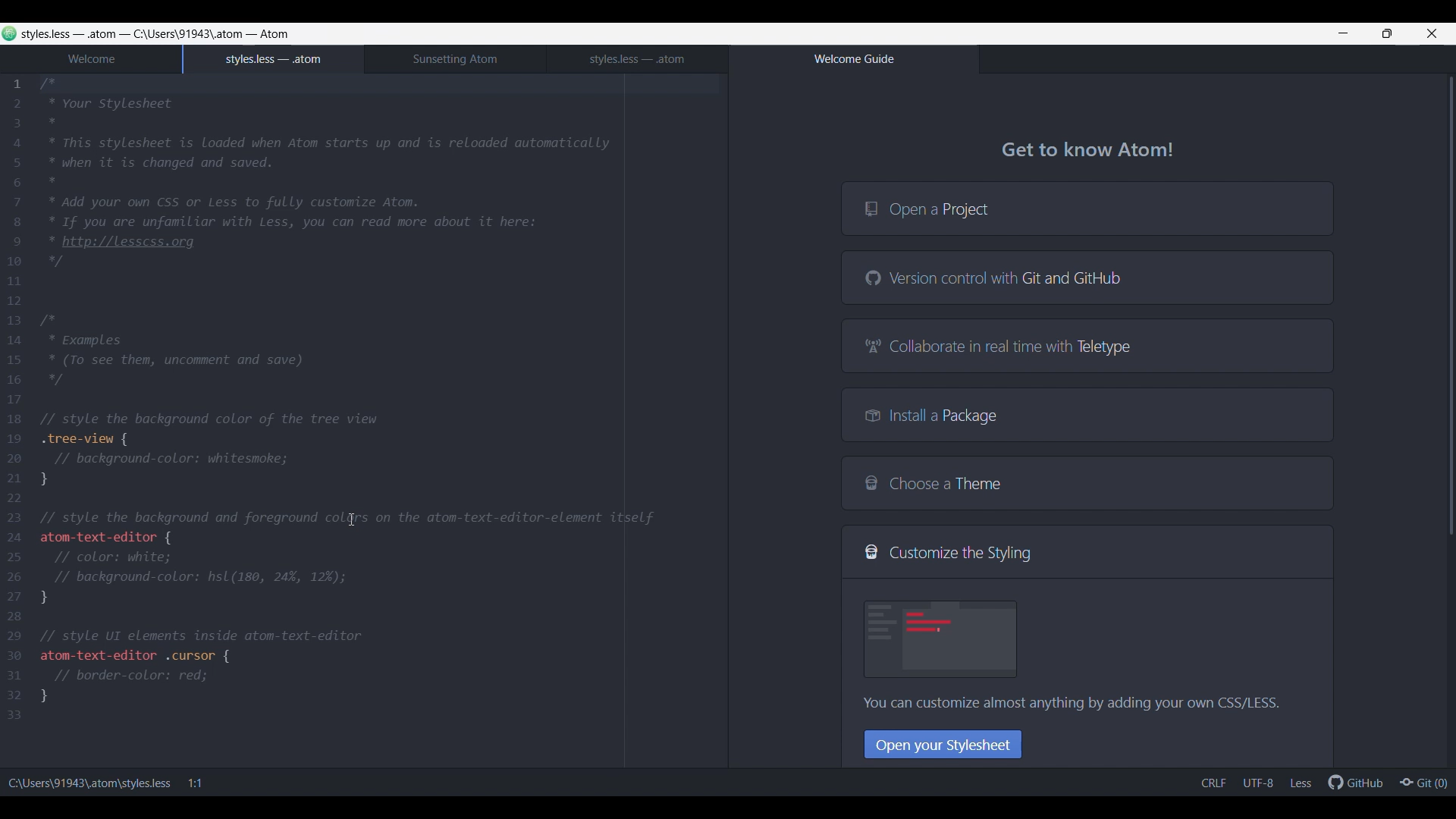  What do you see at coordinates (274, 59) in the screenshot?
I see `Current tab, highlighted` at bounding box center [274, 59].